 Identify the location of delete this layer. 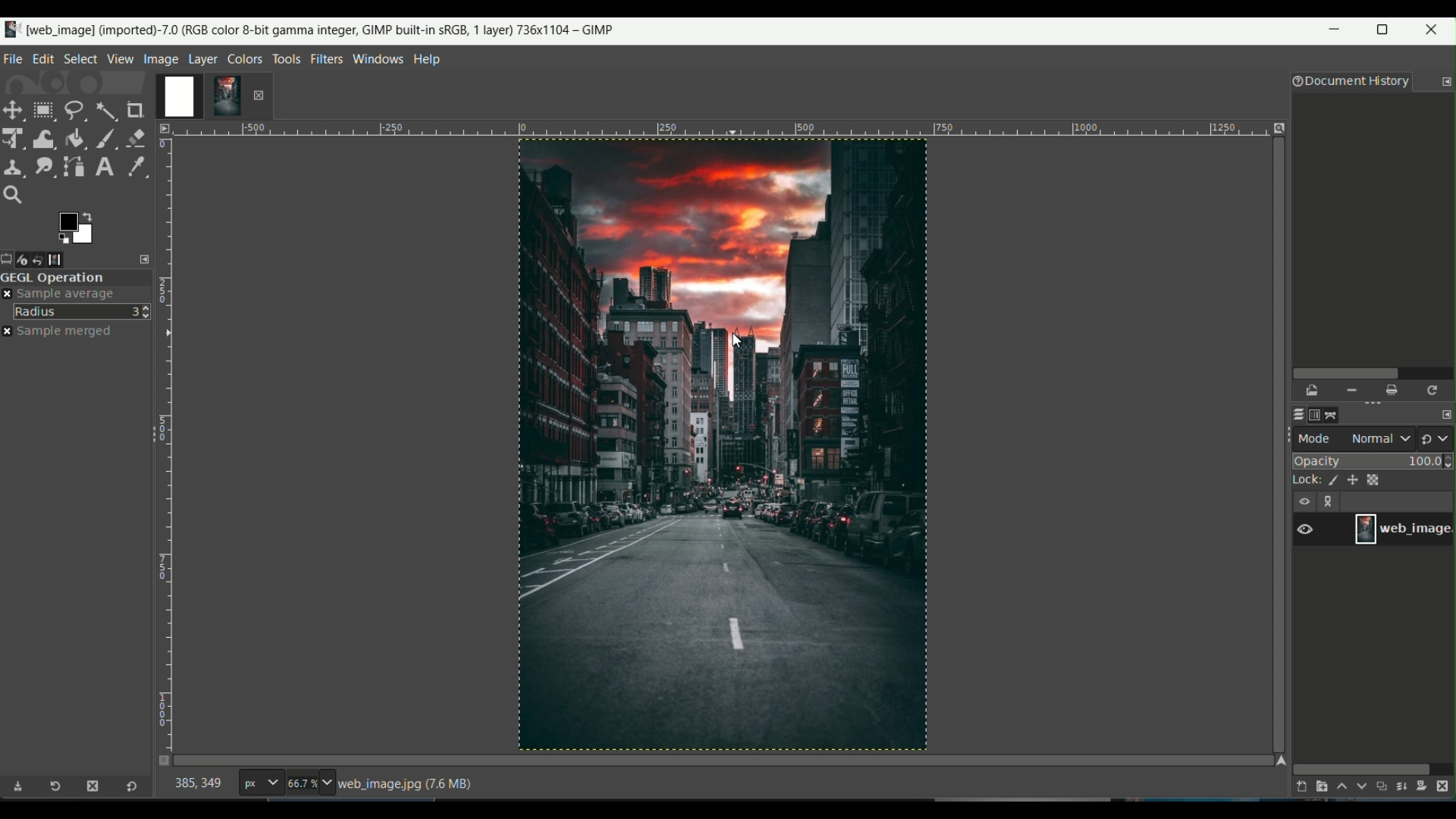
(1447, 786).